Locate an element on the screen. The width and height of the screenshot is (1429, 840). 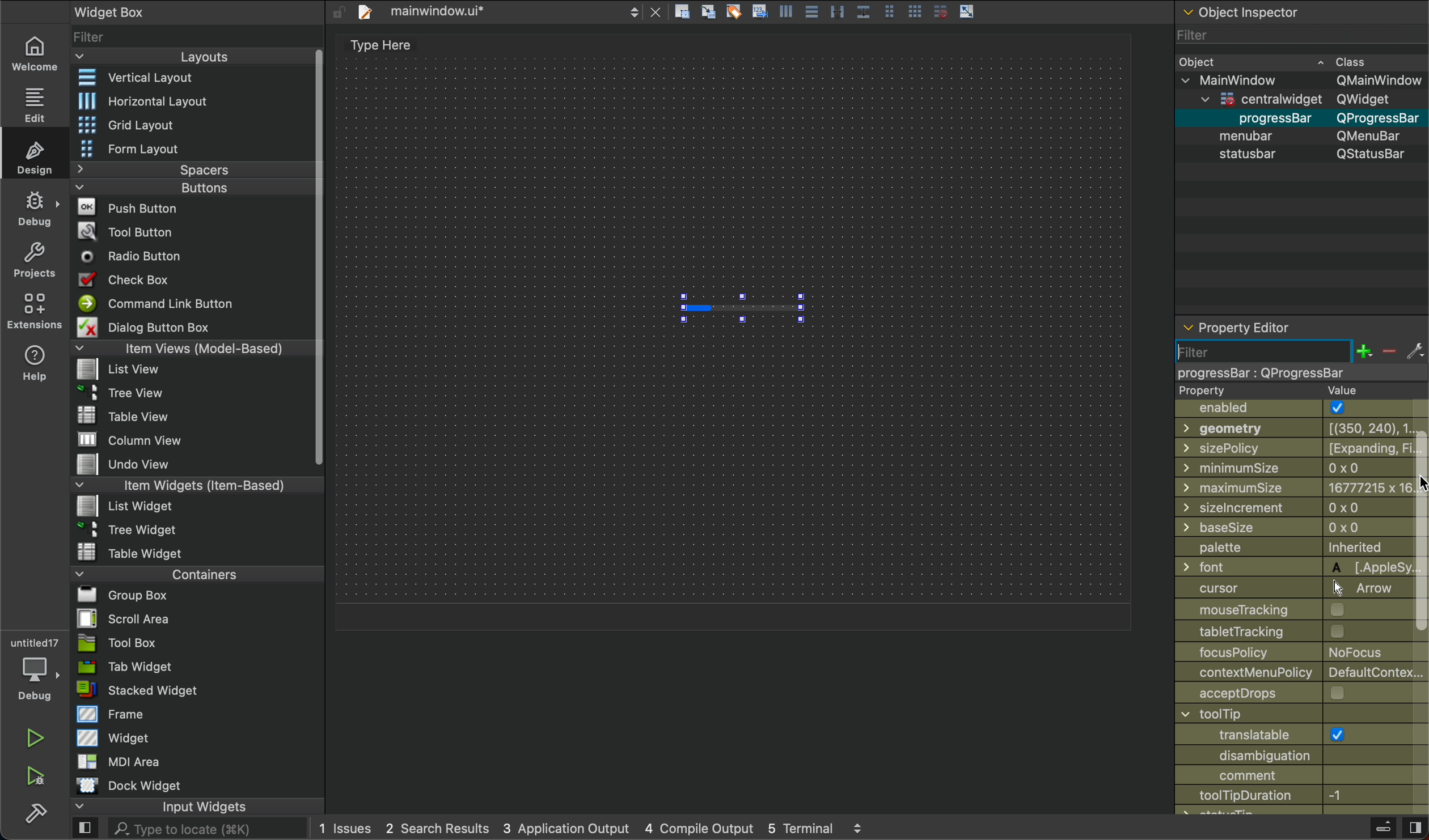
edit is located at coordinates (32, 103).